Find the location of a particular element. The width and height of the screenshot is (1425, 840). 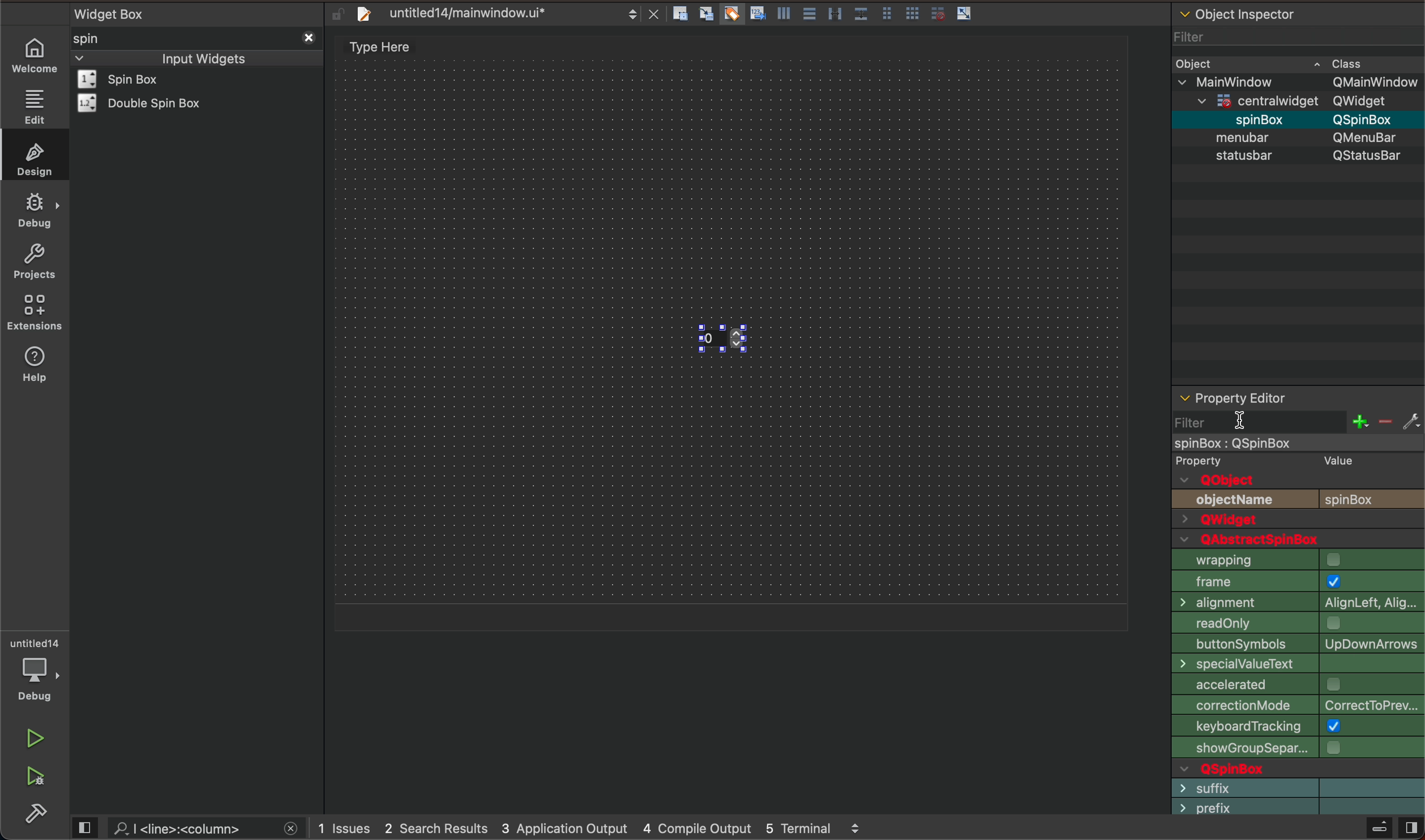

document mode is located at coordinates (1299, 620).